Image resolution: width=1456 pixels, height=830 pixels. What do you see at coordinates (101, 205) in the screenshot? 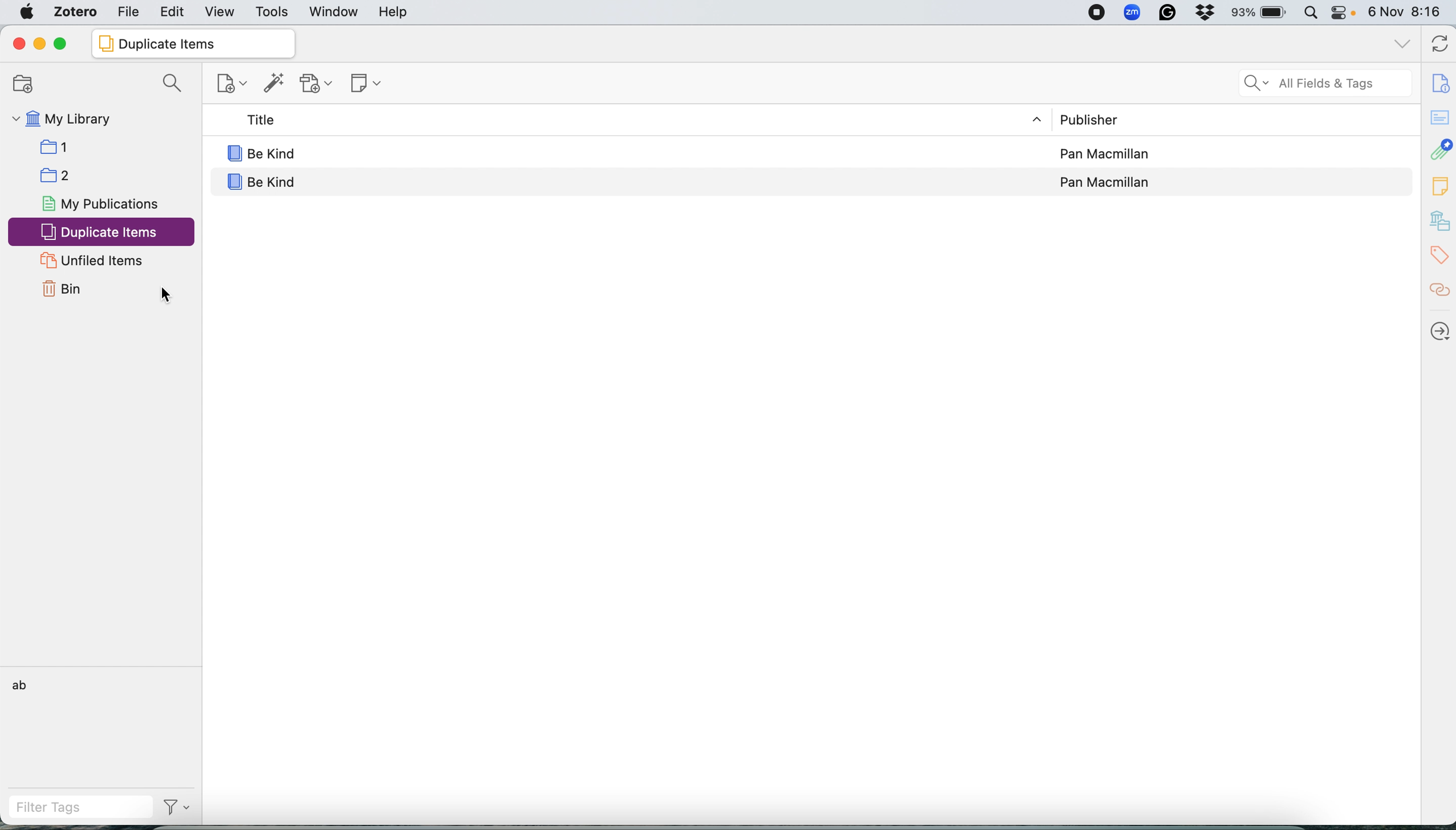
I see `my publications` at bounding box center [101, 205].